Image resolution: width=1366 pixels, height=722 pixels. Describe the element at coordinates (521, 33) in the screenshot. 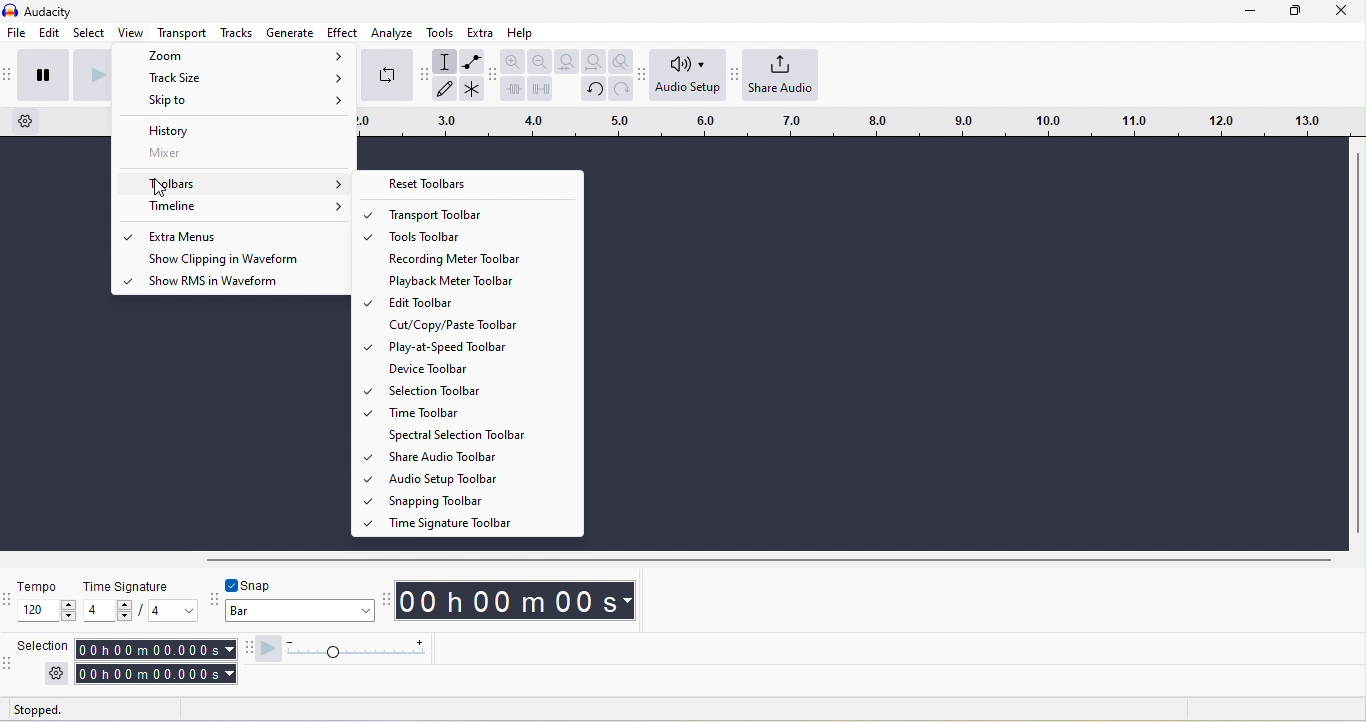

I see `help` at that location.